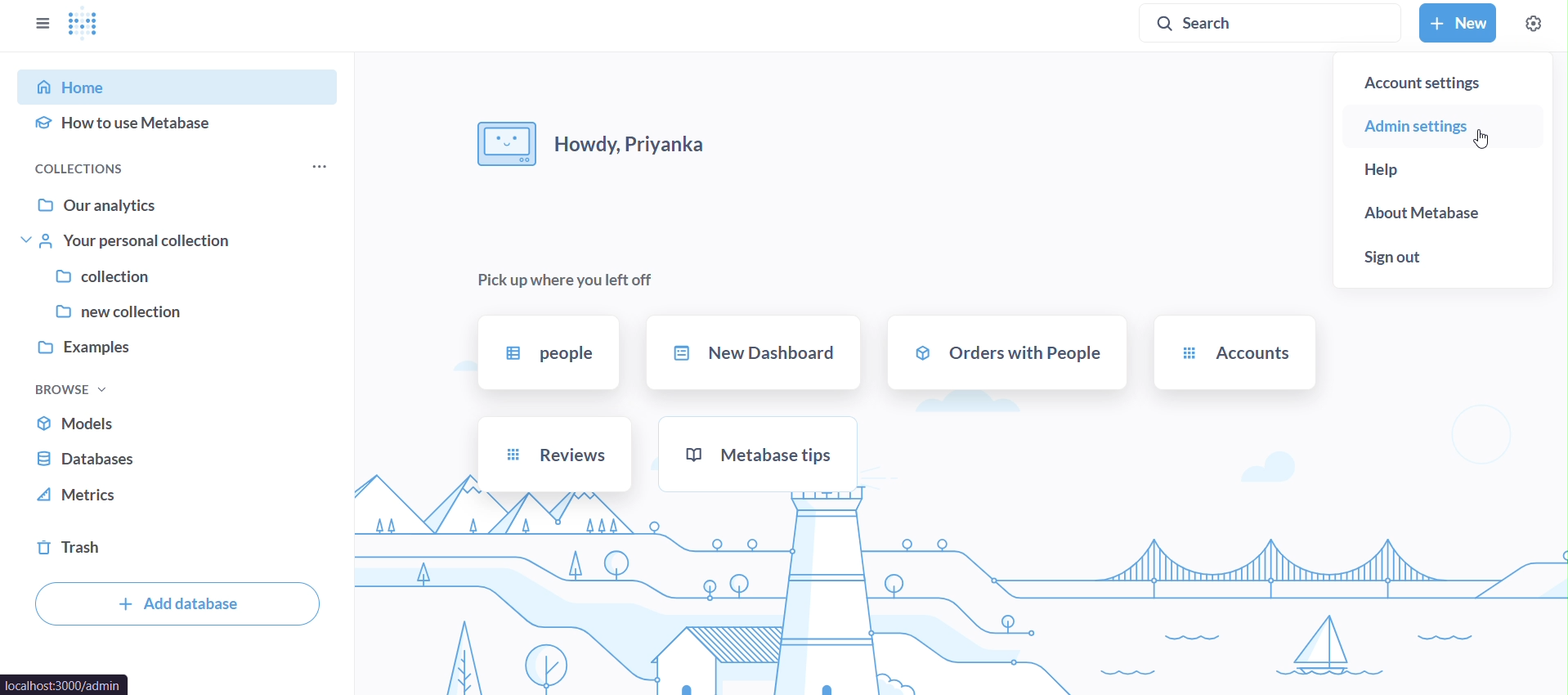 Image resolution: width=1568 pixels, height=695 pixels. What do you see at coordinates (548, 353) in the screenshot?
I see `people` at bounding box center [548, 353].